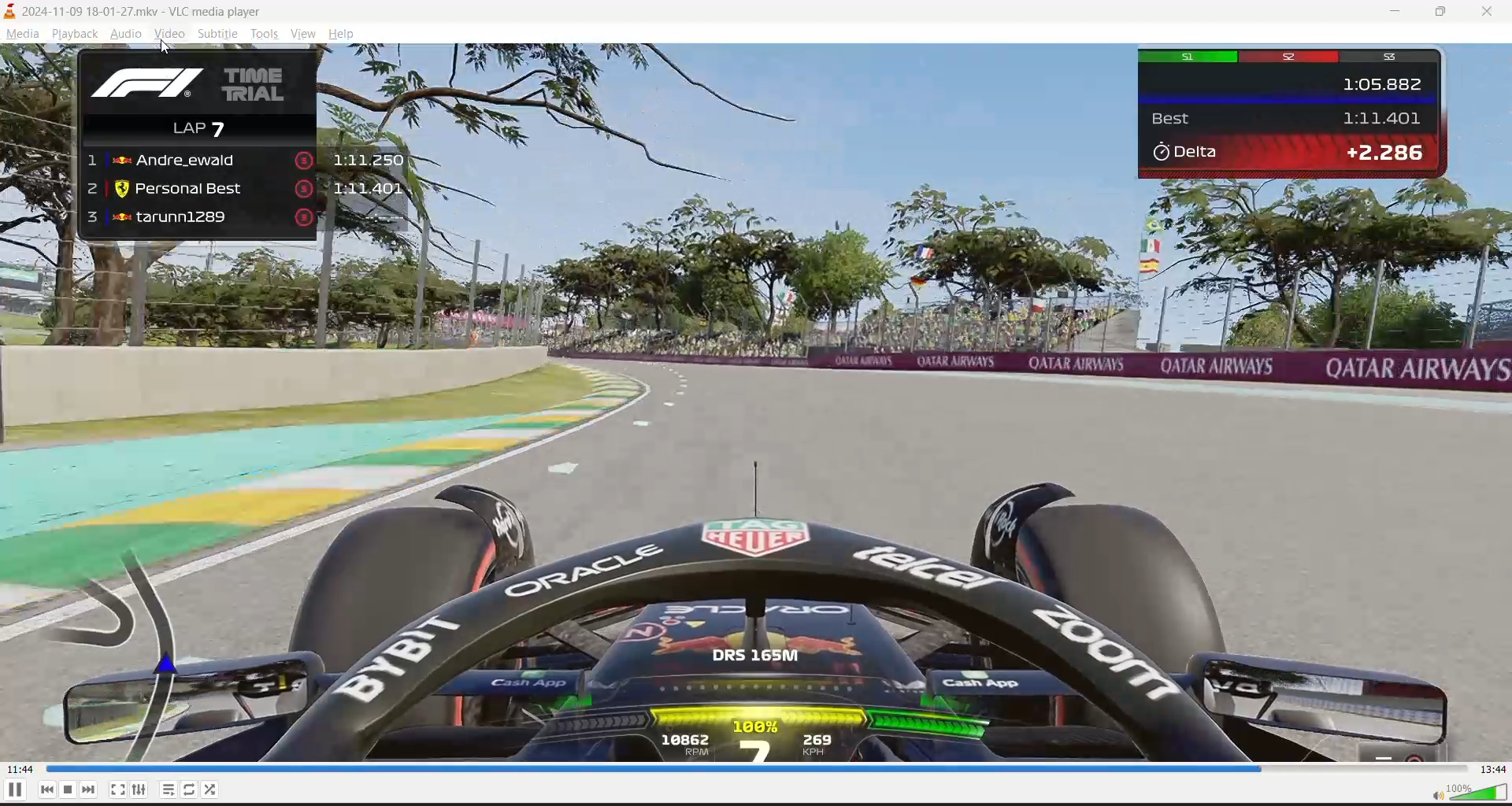 The image size is (1512, 806). Describe the element at coordinates (20, 769) in the screenshot. I see `current track time` at that location.